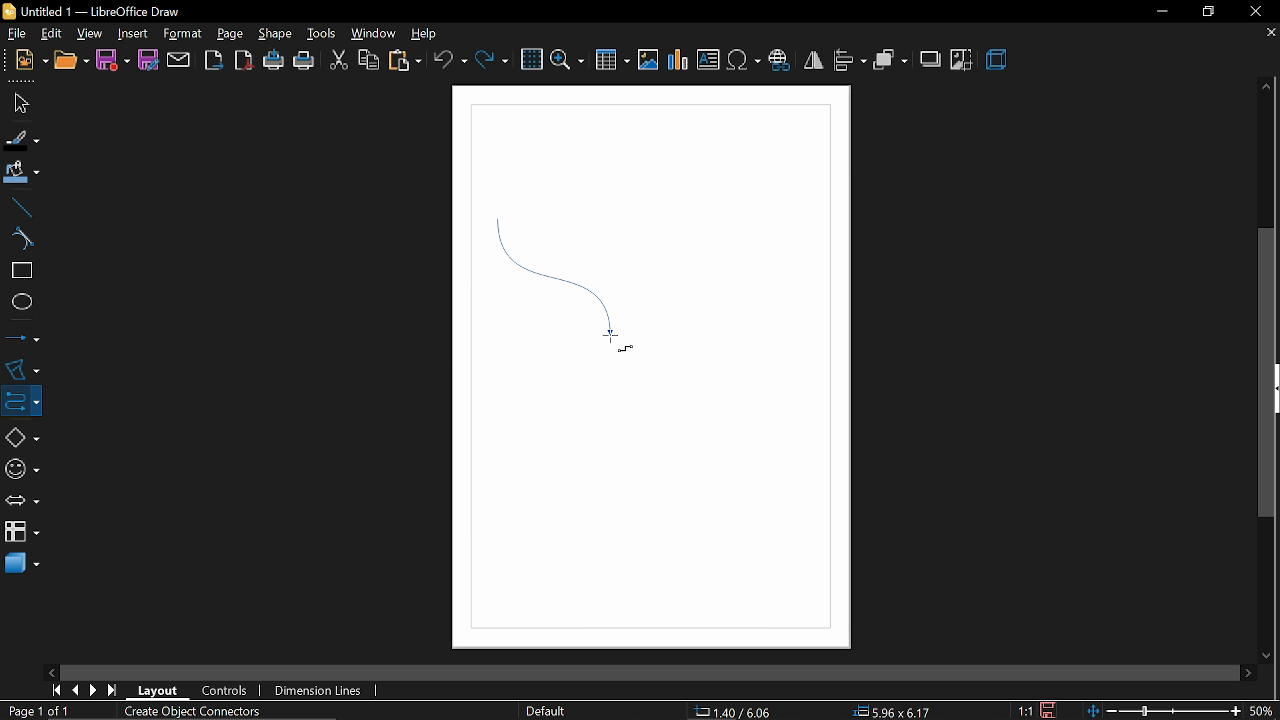  I want to click on rectangle, so click(18, 271).